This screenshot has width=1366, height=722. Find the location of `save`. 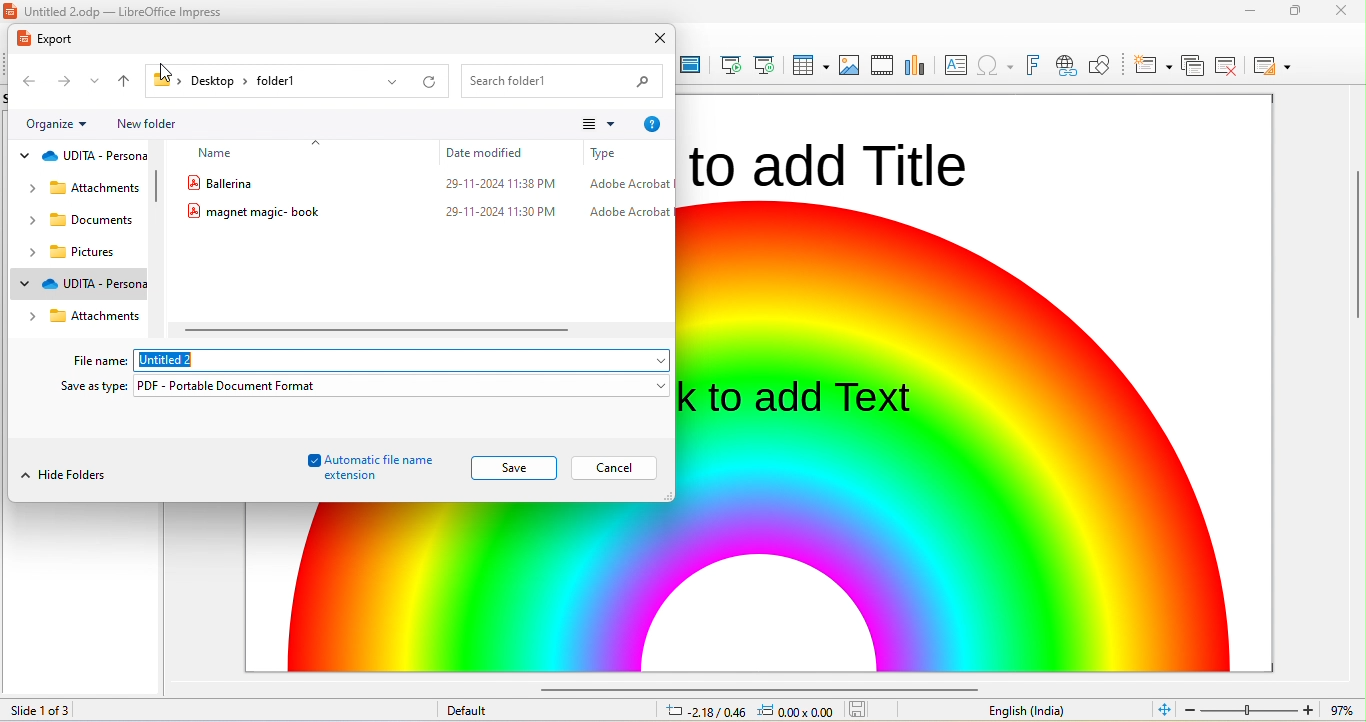

save is located at coordinates (614, 467).